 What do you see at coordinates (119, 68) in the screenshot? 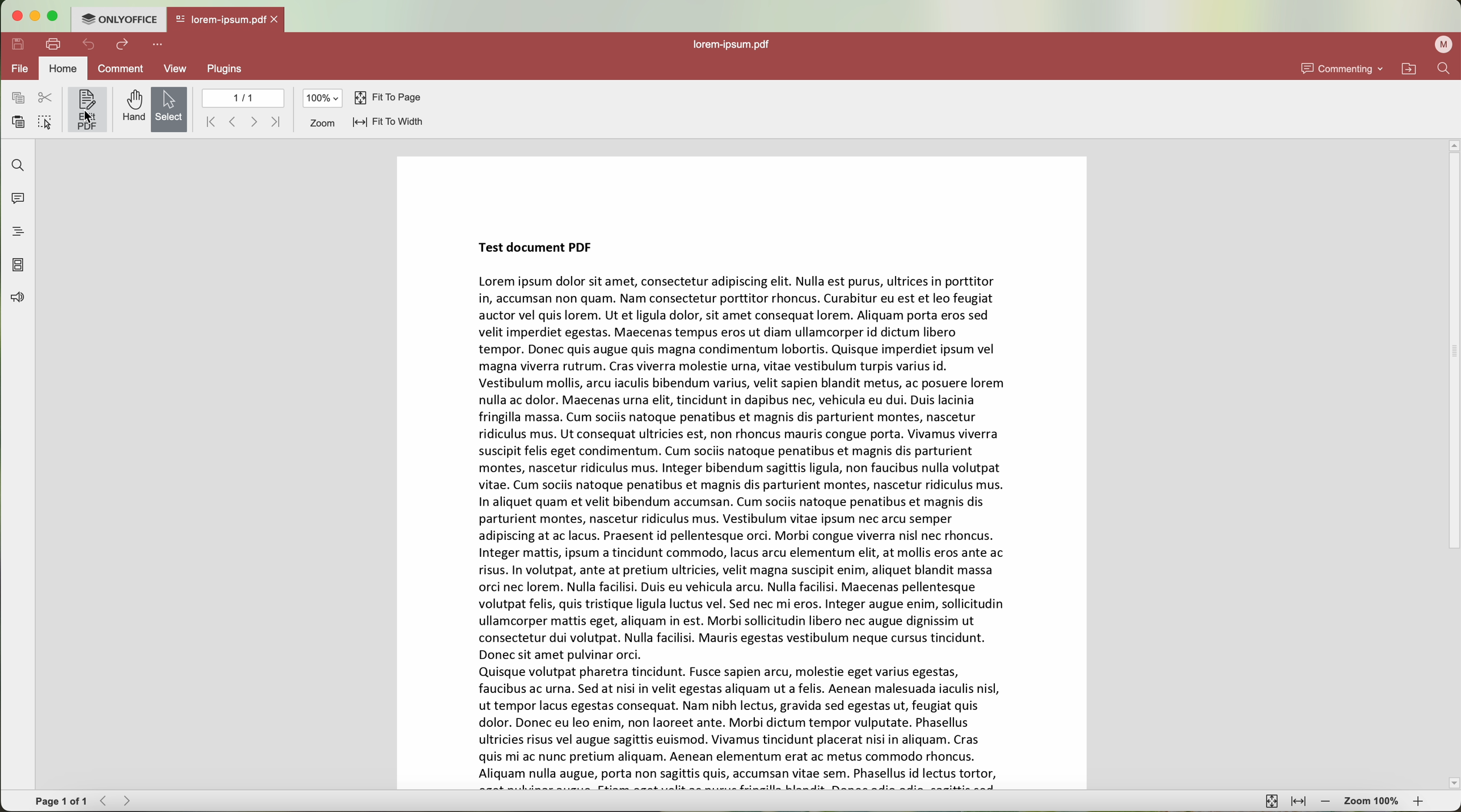
I see `comment` at bounding box center [119, 68].